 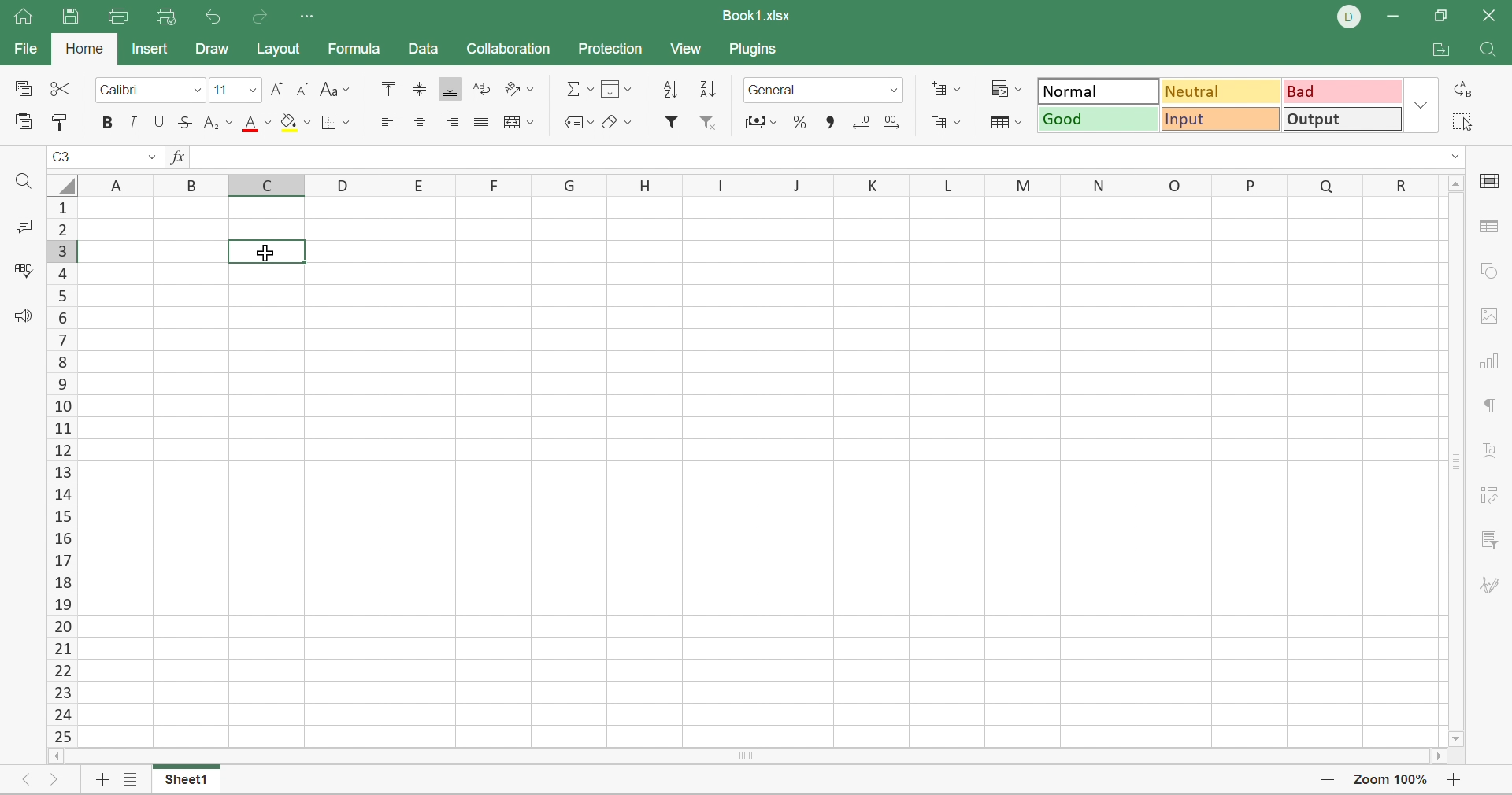 I want to click on Font color, so click(x=256, y=124).